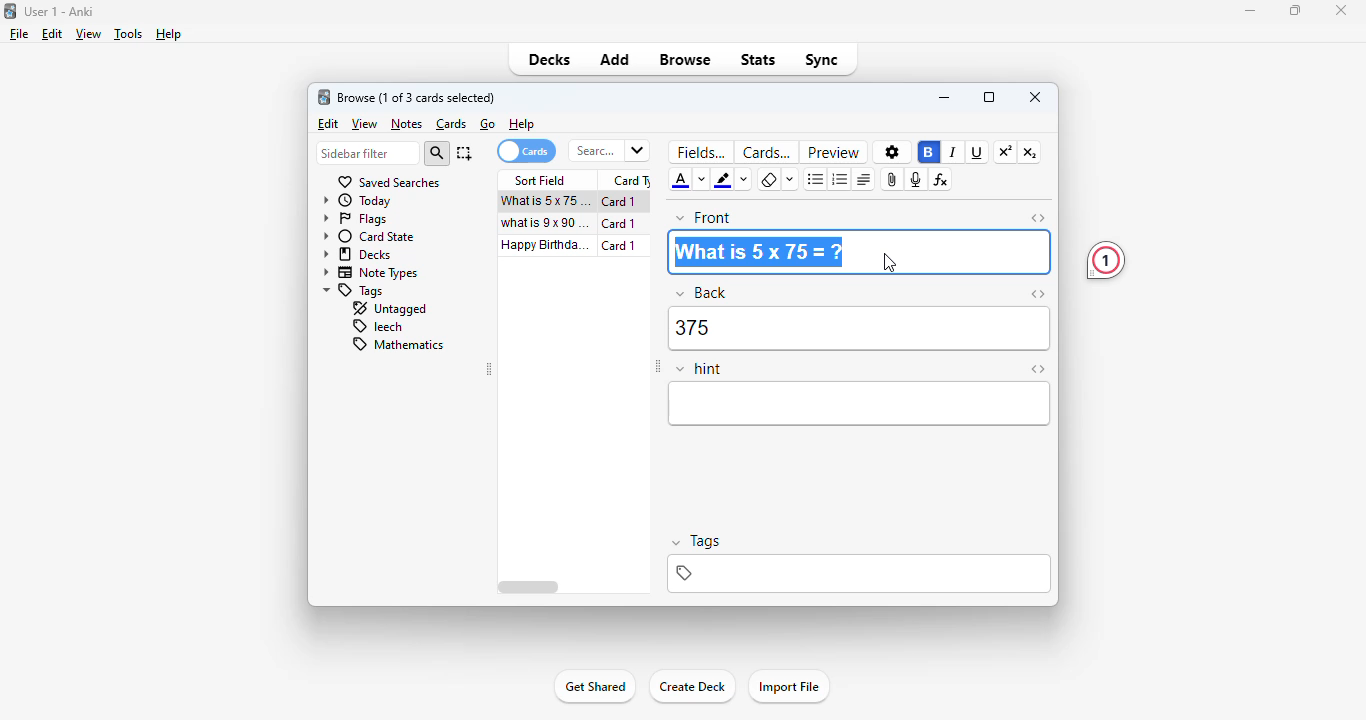 The image size is (1366, 720). I want to click on card state, so click(369, 236).